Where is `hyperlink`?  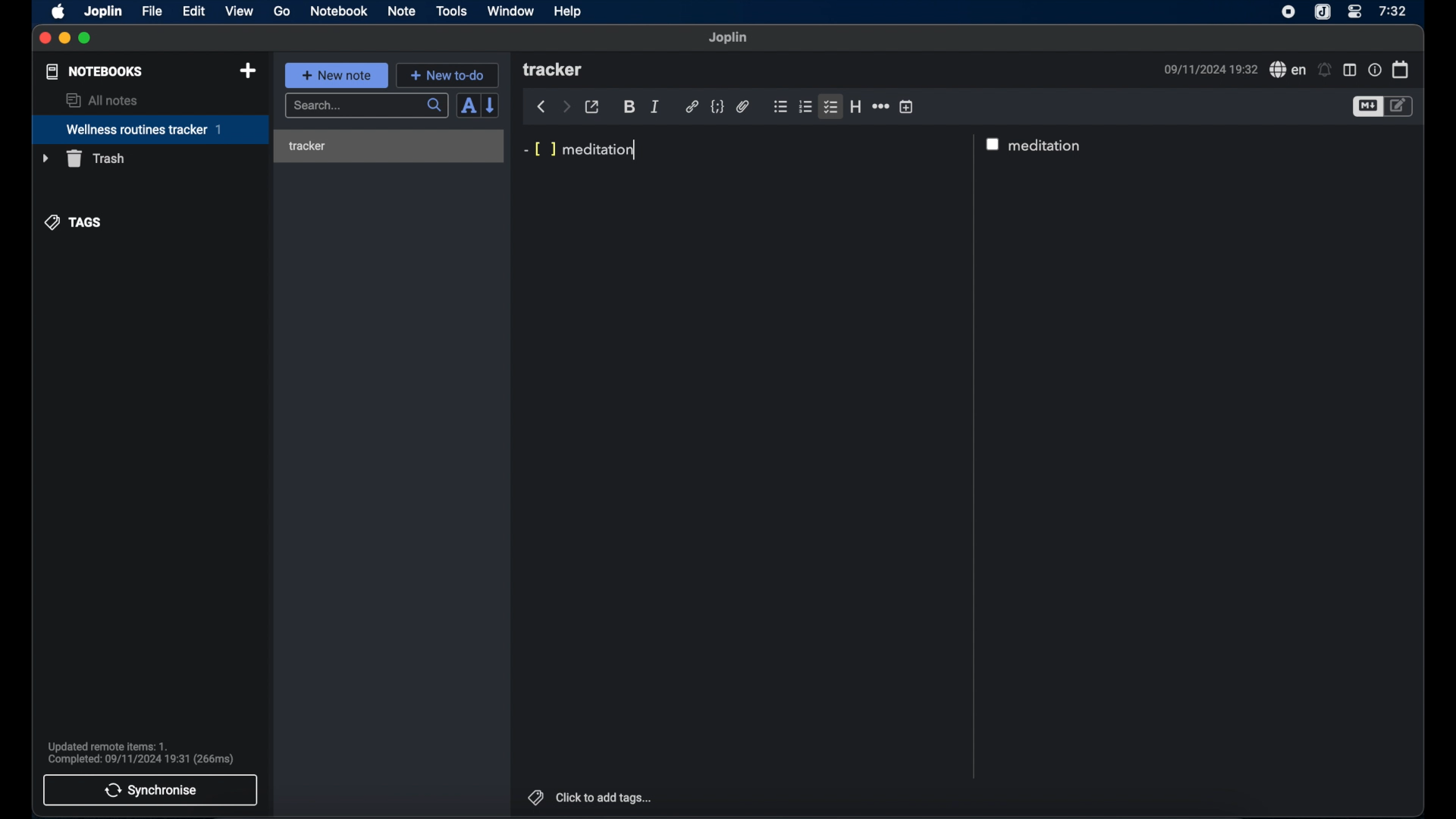 hyperlink is located at coordinates (692, 107).